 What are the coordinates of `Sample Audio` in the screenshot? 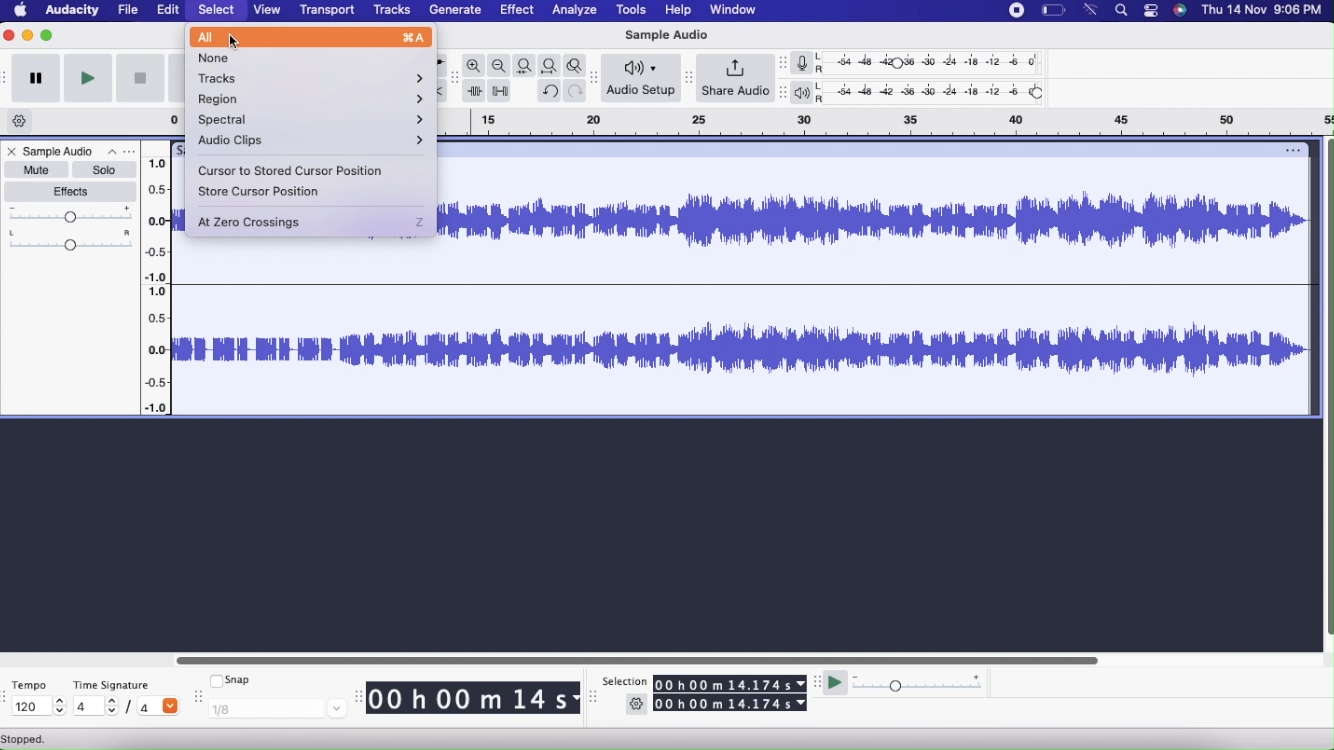 It's located at (309, 349).